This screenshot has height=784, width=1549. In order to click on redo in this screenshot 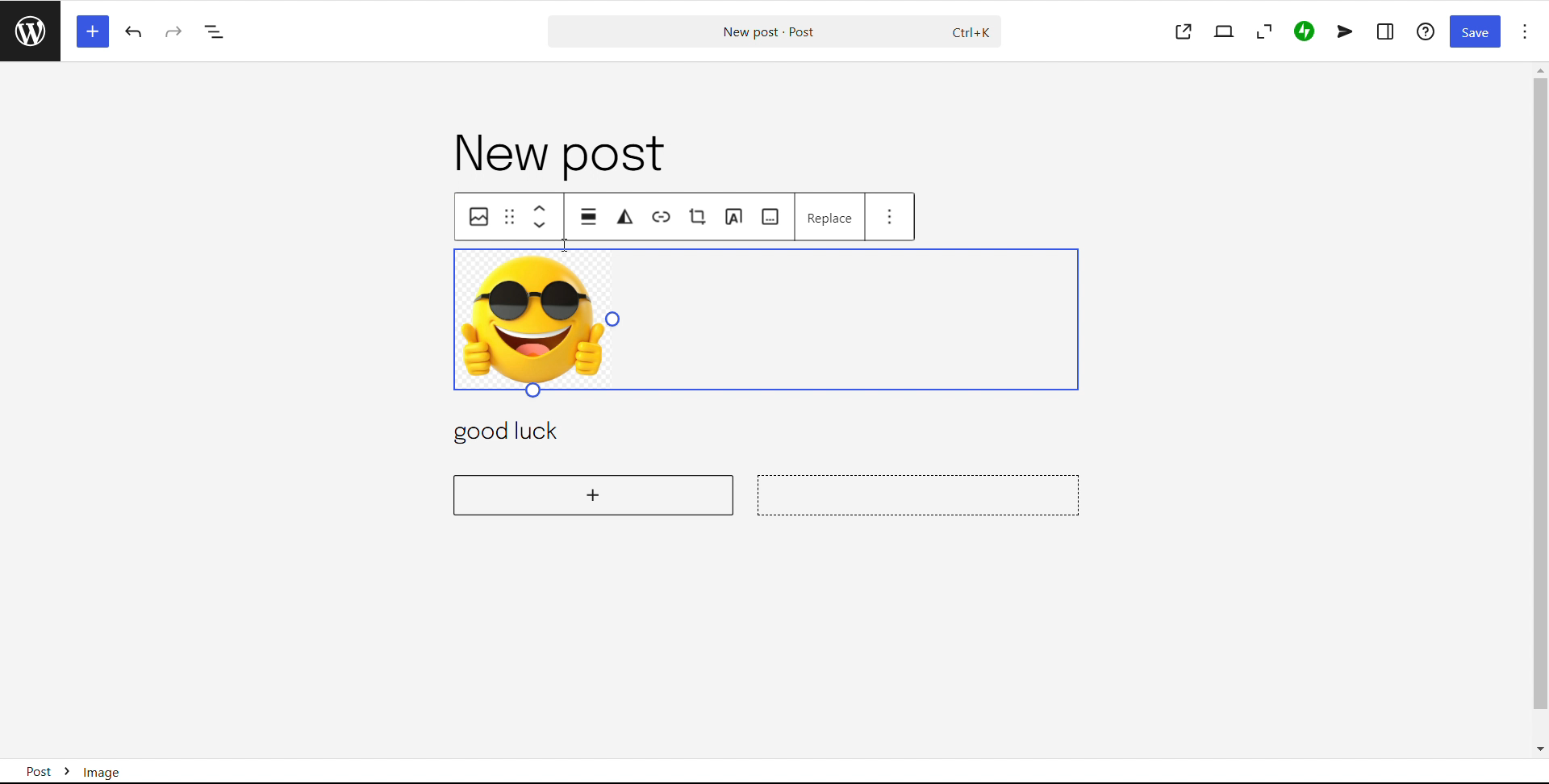, I will do `click(174, 31)`.